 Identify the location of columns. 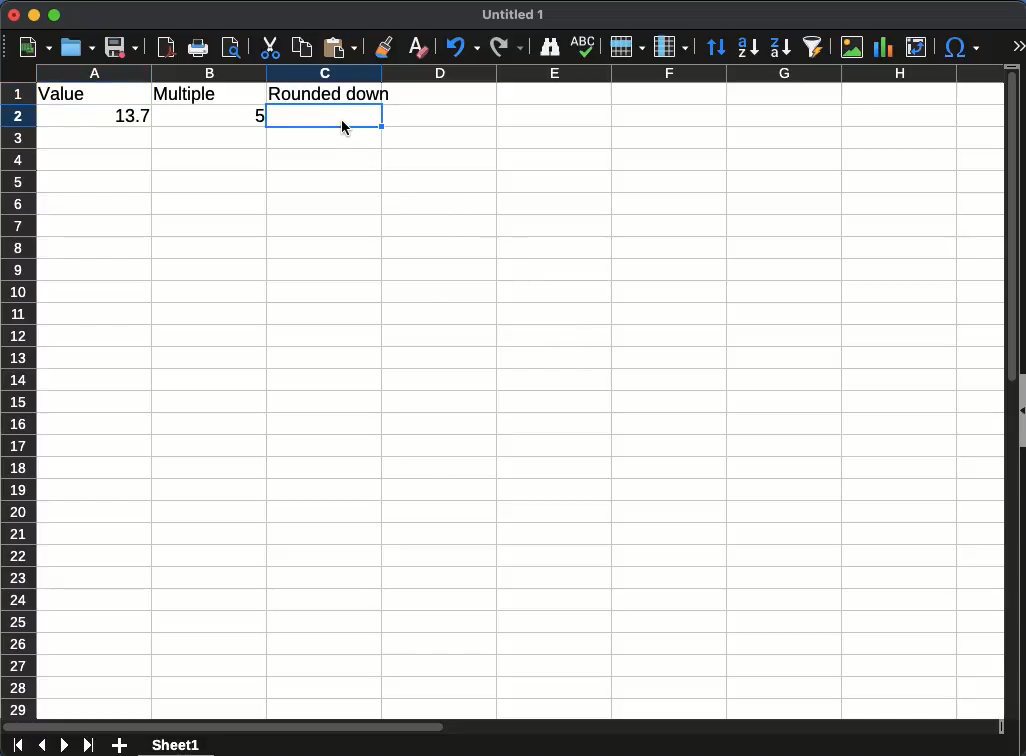
(671, 47).